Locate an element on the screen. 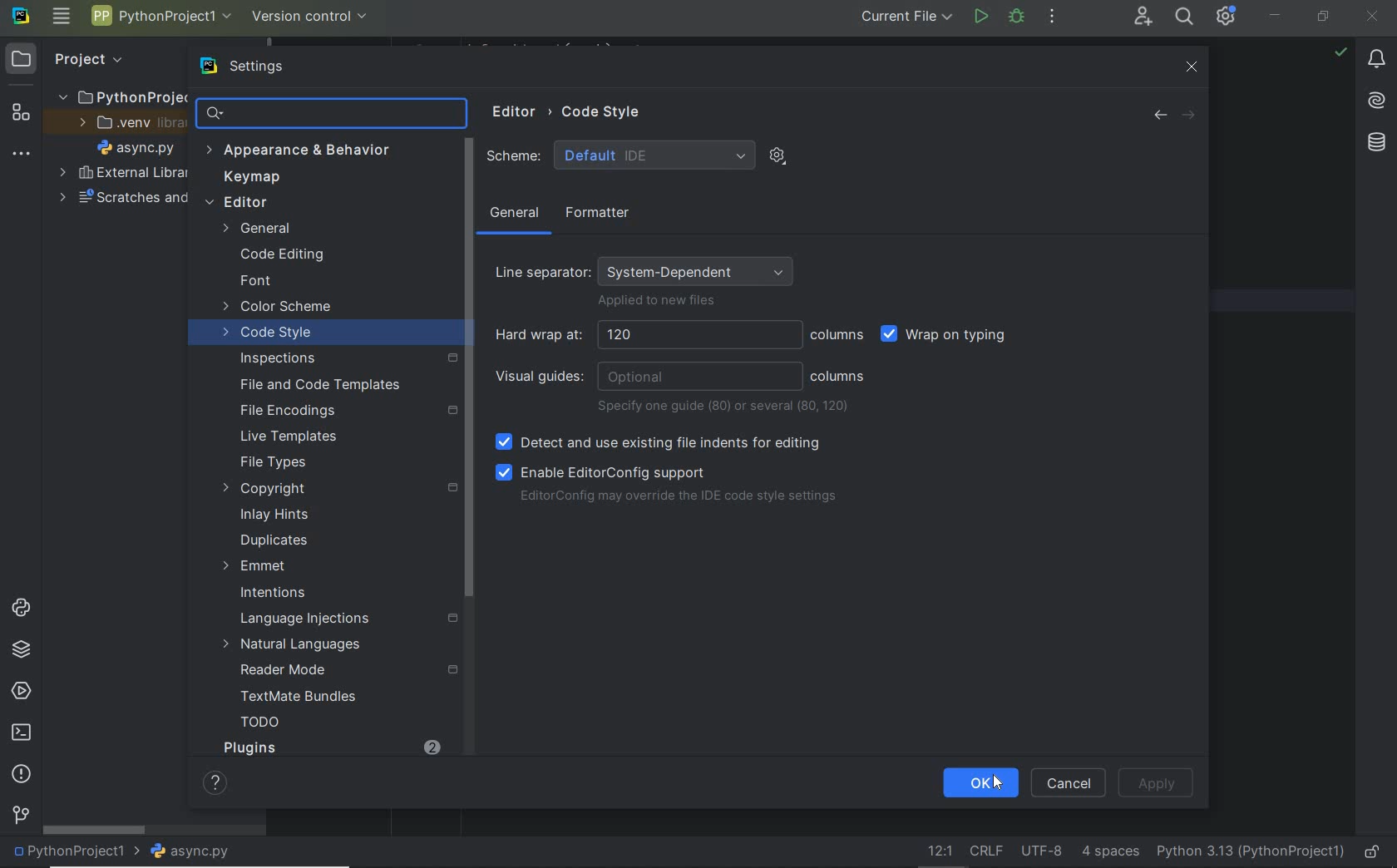  RESTORE DOWN is located at coordinates (1323, 18).